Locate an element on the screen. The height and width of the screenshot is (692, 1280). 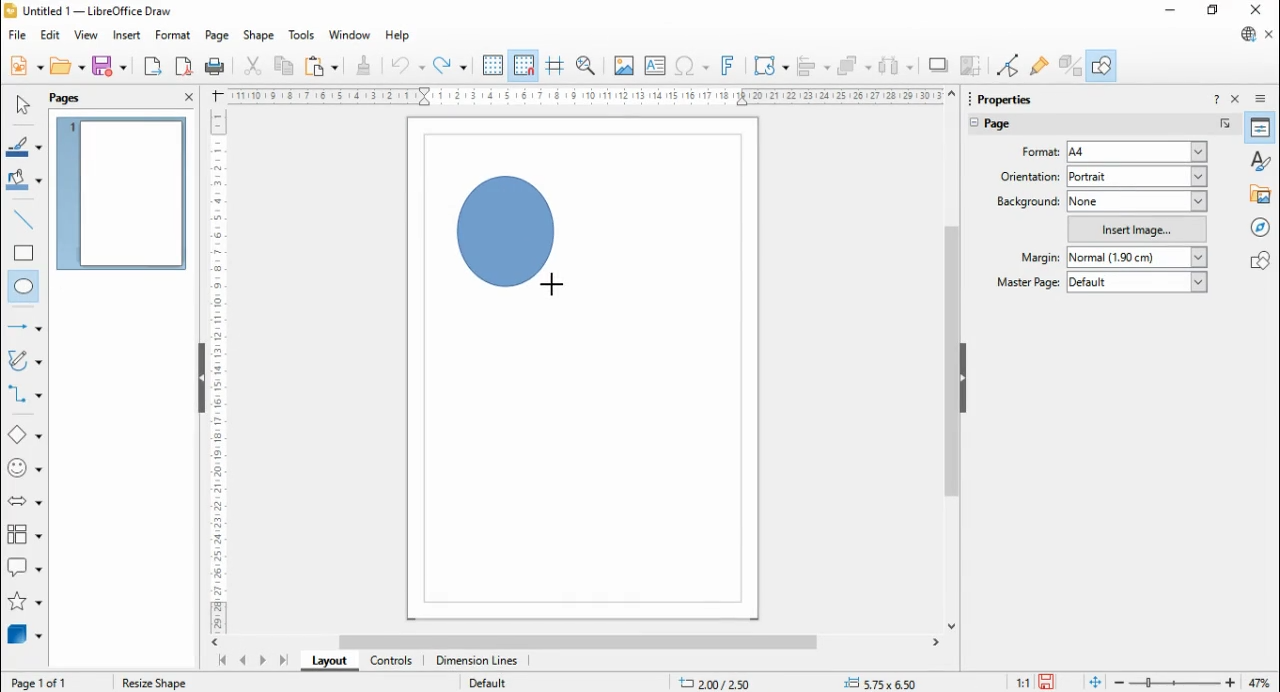
first page is located at coordinates (221, 661).